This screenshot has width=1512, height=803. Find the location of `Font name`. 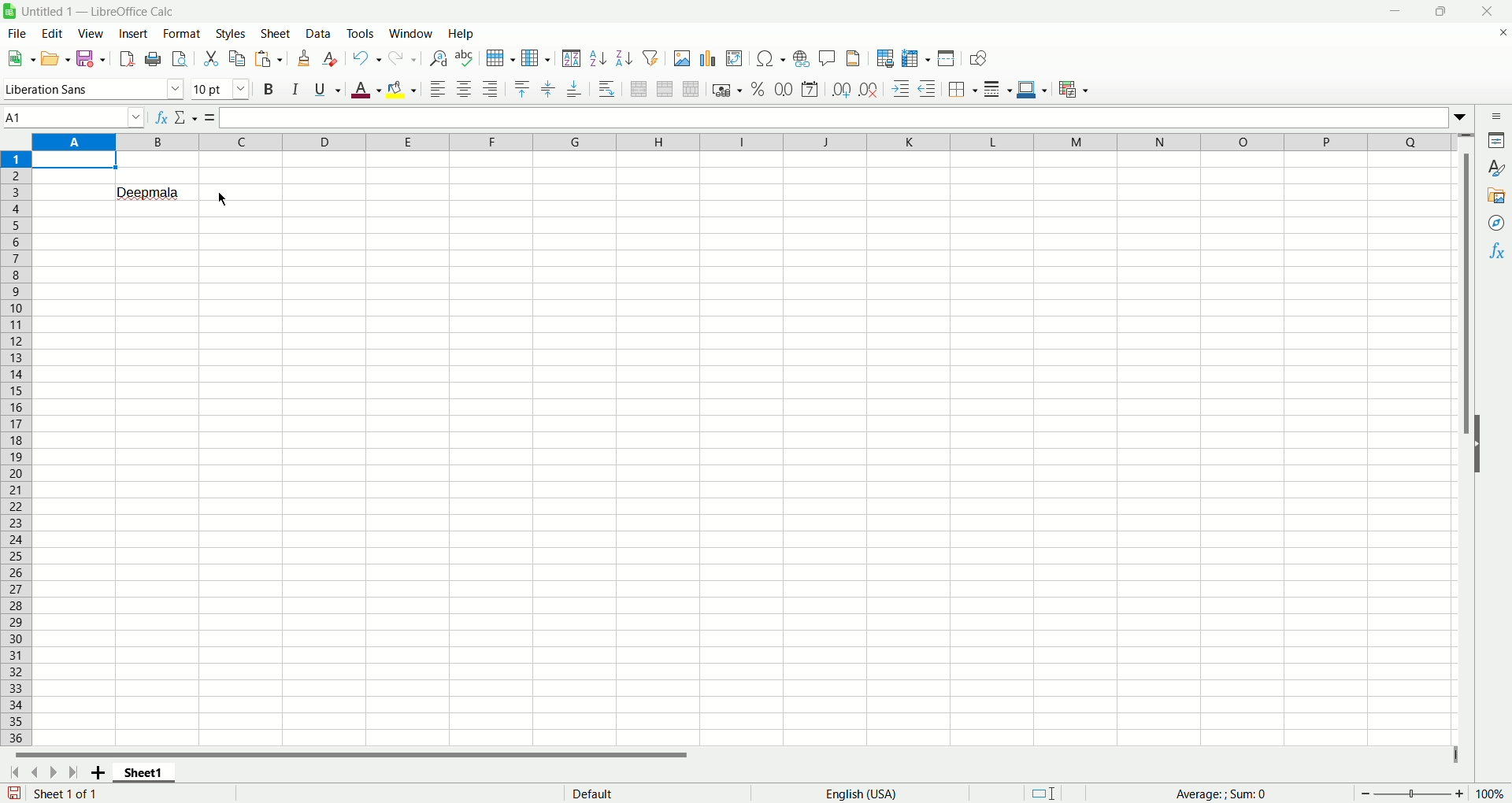

Font name is located at coordinates (95, 88).